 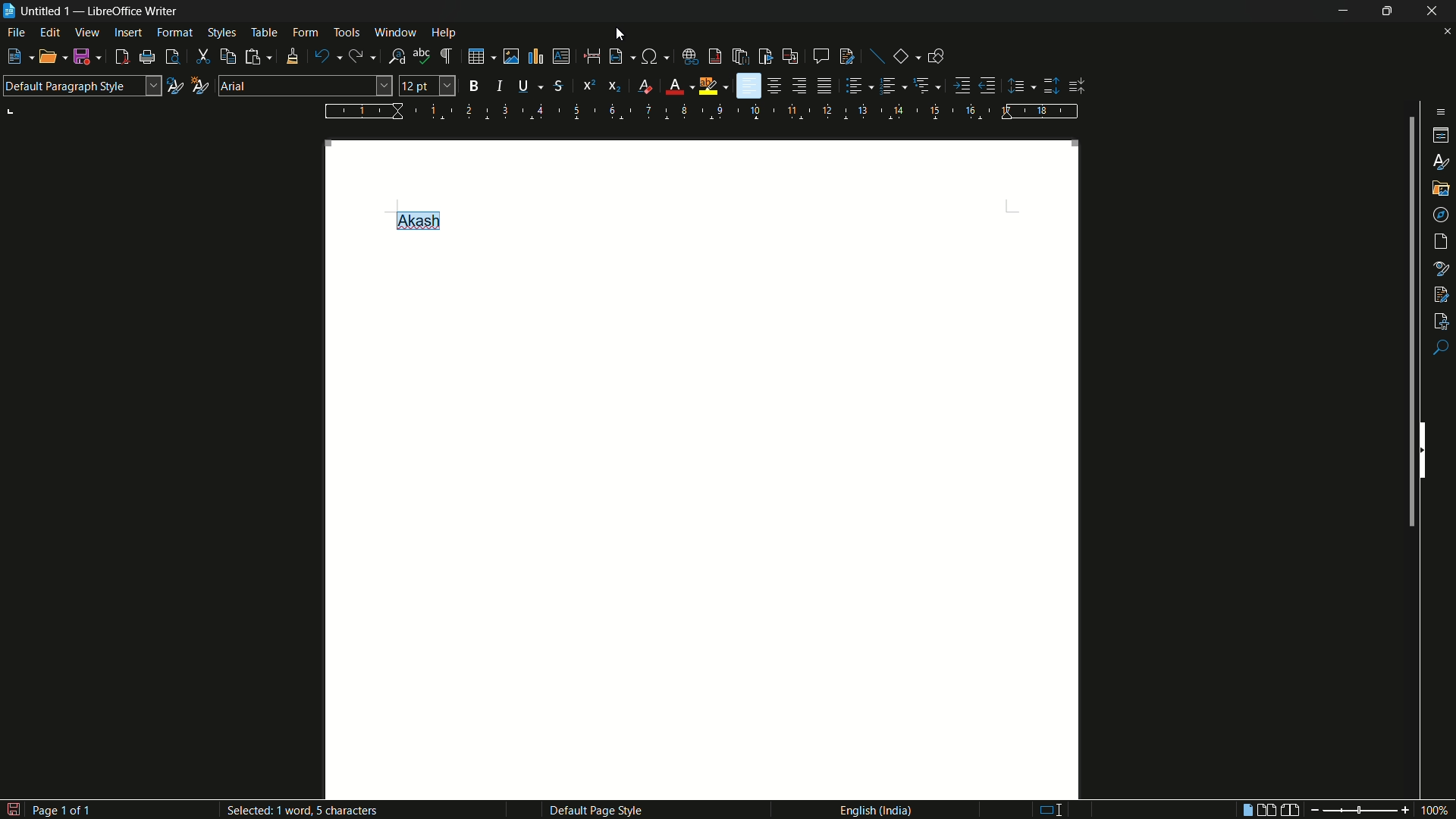 What do you see at coordinates (591, 56) in the screenshot?
I see `page break` at bounding box center [591, 56].